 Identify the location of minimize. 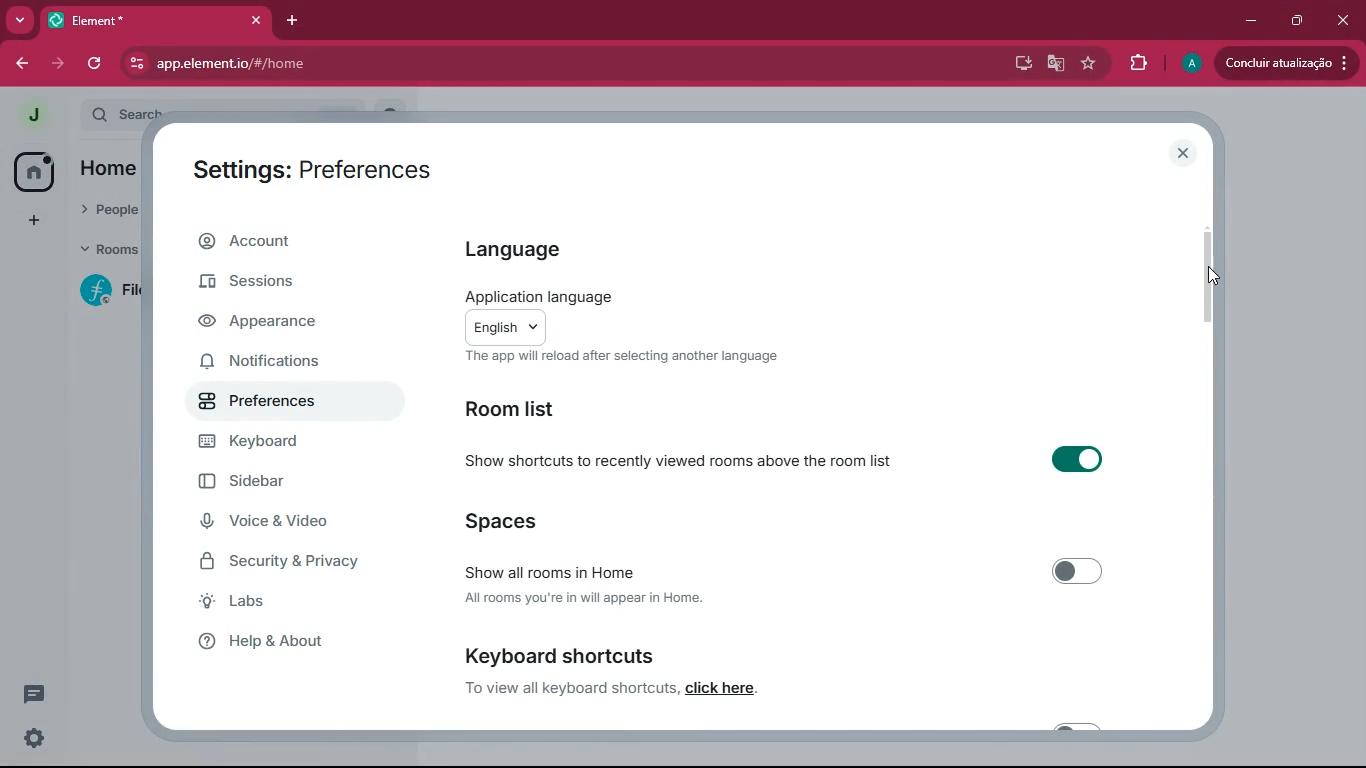
(1244, 19).